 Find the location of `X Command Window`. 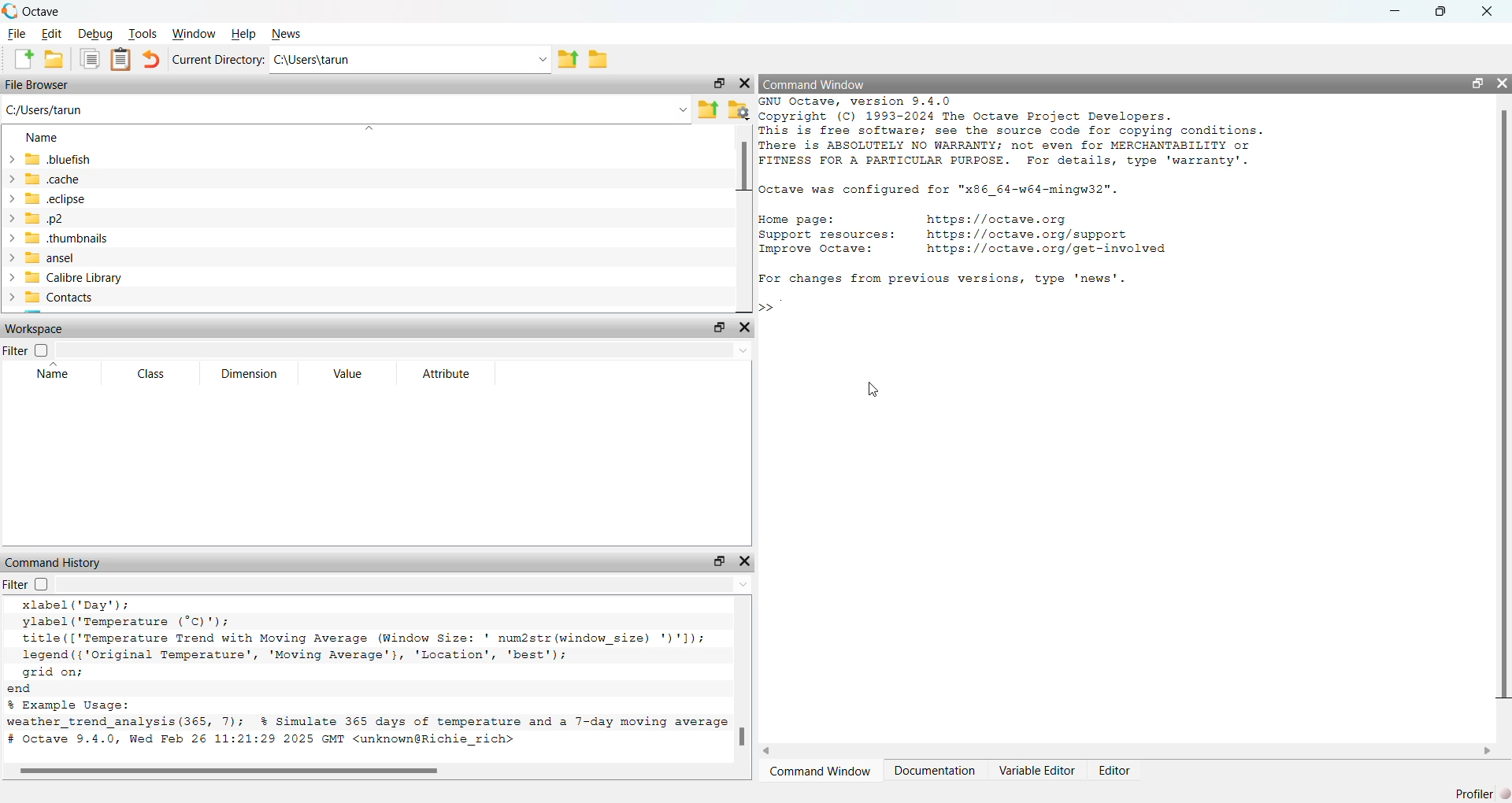

X Command Window is located at coordinates (831, 81).